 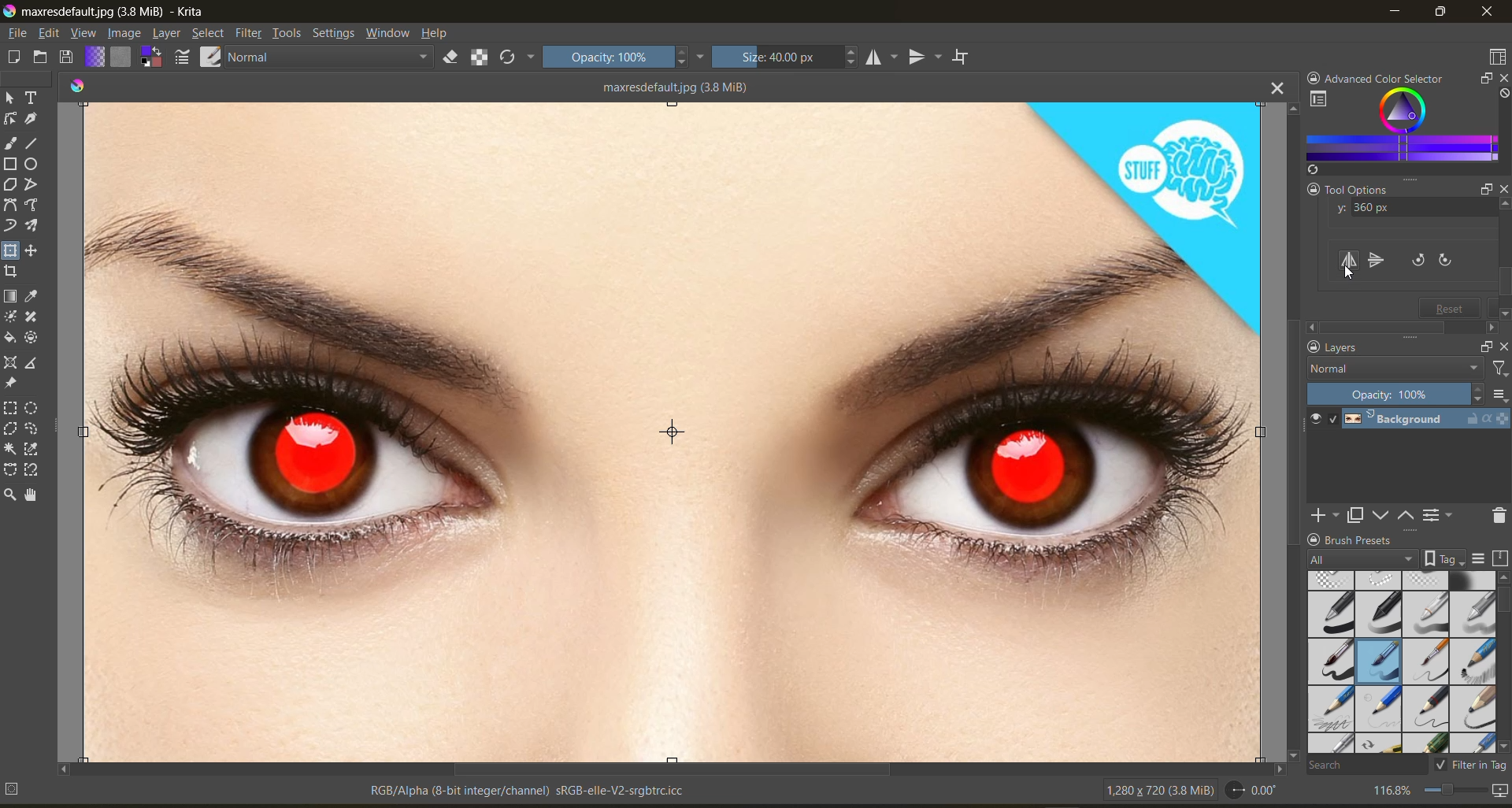 I want to click on zoom factor, so click(x=1393, y=790).